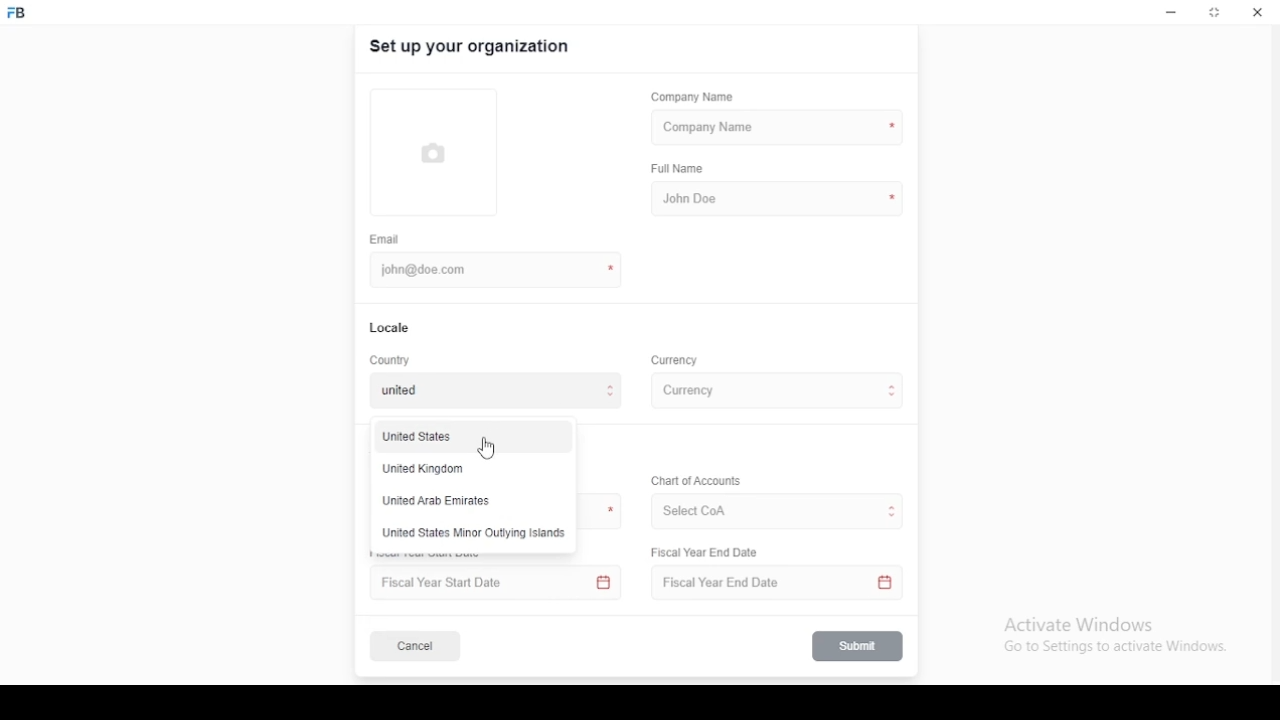  I want to click on Select CoA, so click(698, 509).